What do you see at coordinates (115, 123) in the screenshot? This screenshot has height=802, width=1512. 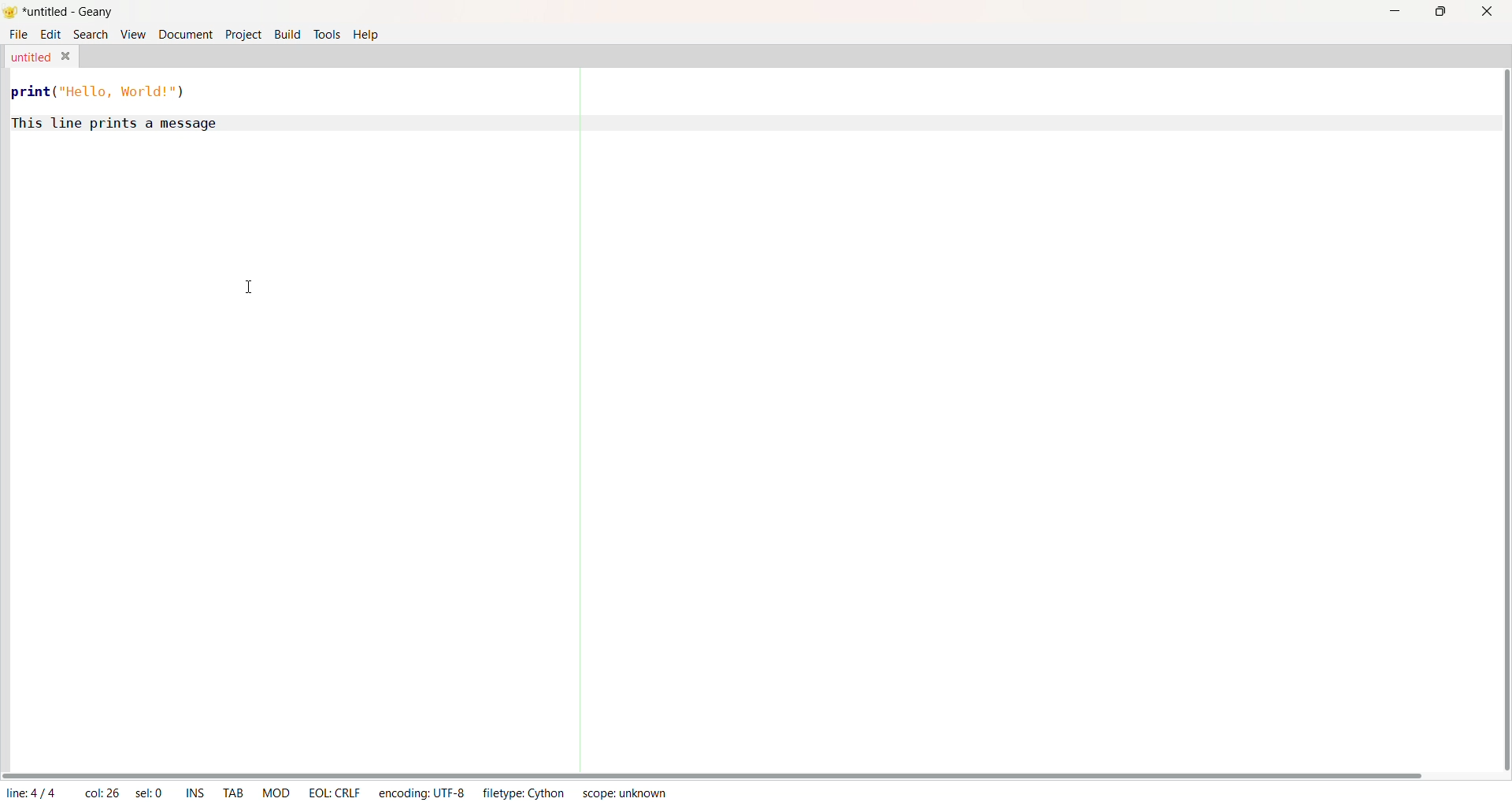 I see `This line prints a message` at bounding box center [115, 123].